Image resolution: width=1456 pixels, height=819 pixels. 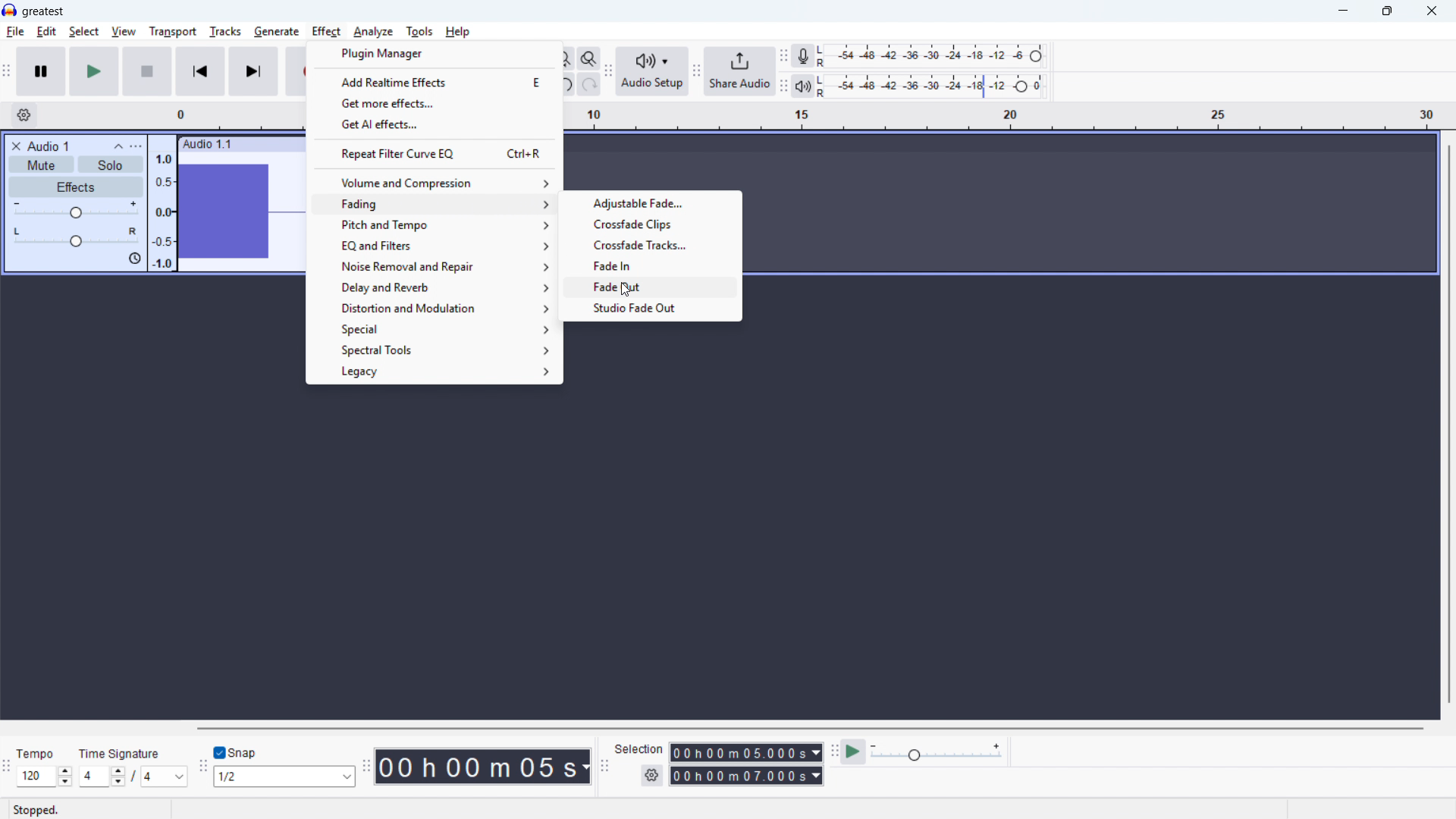 What do you see at coordinates (111, 165) in the screenshot?
I see `Solo ` at bounding box center [111, 165].